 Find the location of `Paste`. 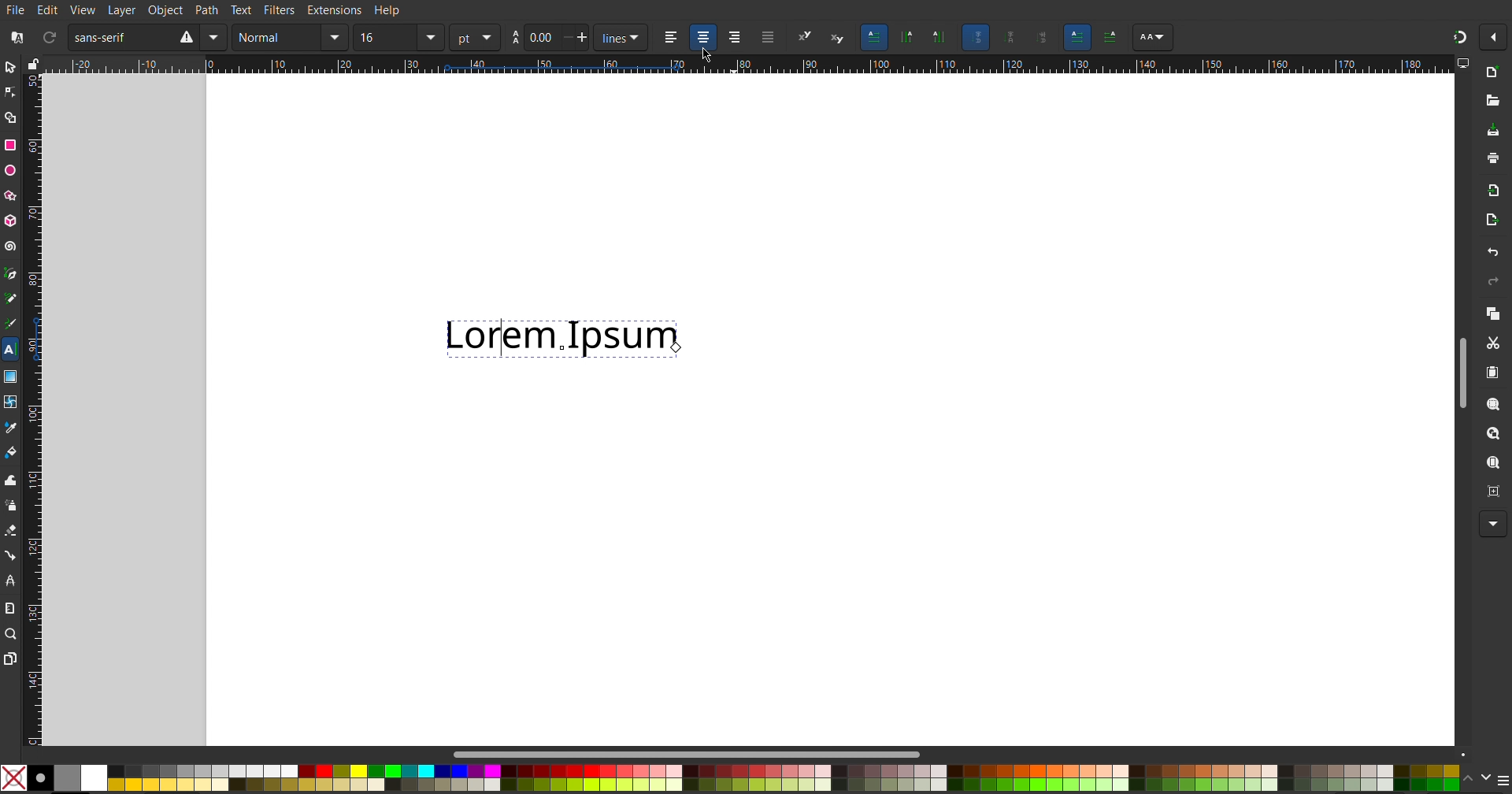

Paste is located at coordinates (1492, 373).